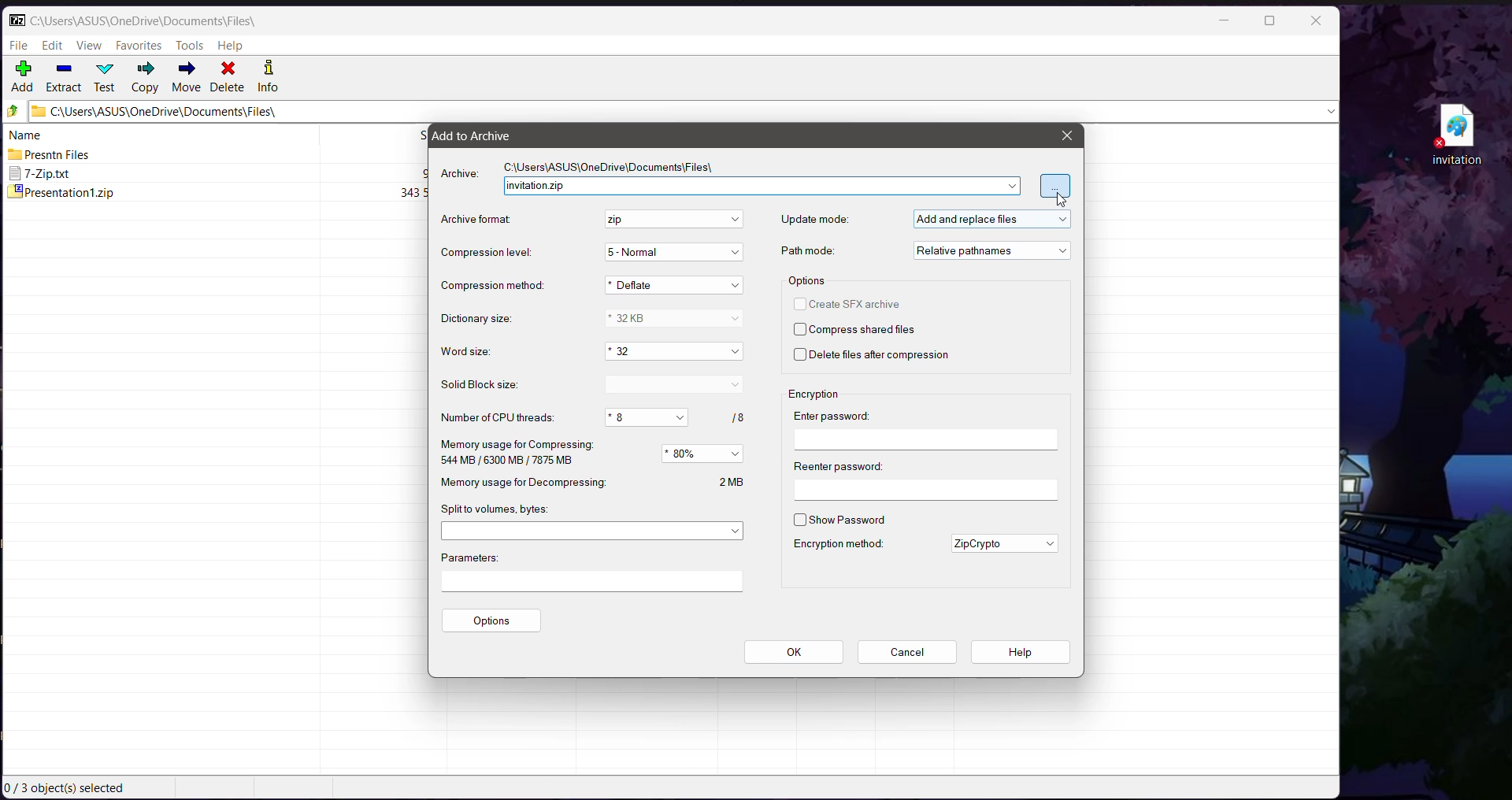 The image size is (1512, 800). What do you see at coordinates (1021, 652) in the screenshot?
I see `Help` at bounding box center [1021, 652].